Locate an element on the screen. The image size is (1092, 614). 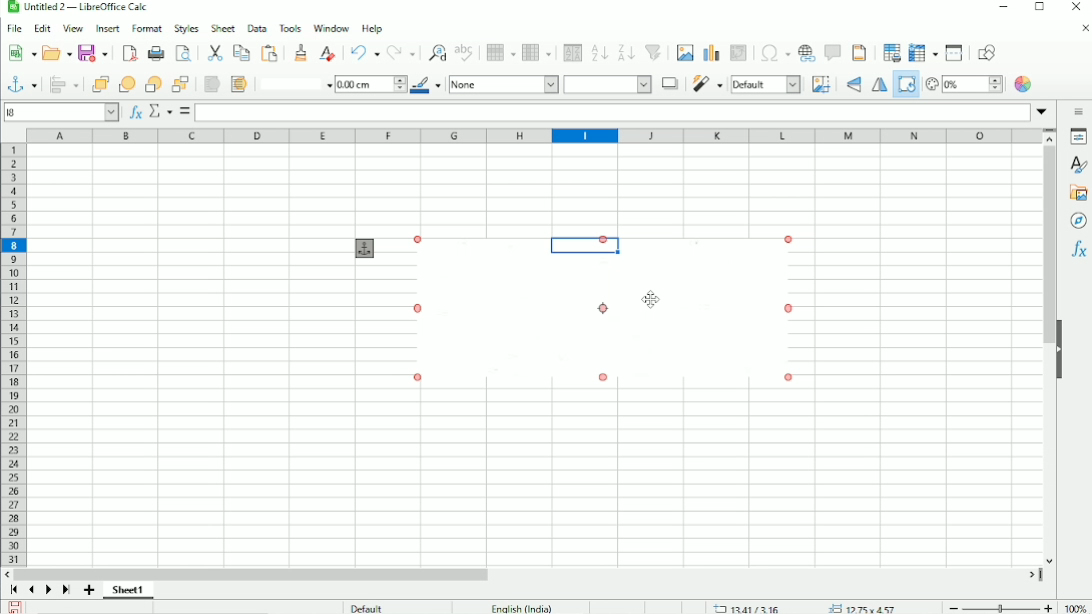
Styles is located at coordinates (185, 28).